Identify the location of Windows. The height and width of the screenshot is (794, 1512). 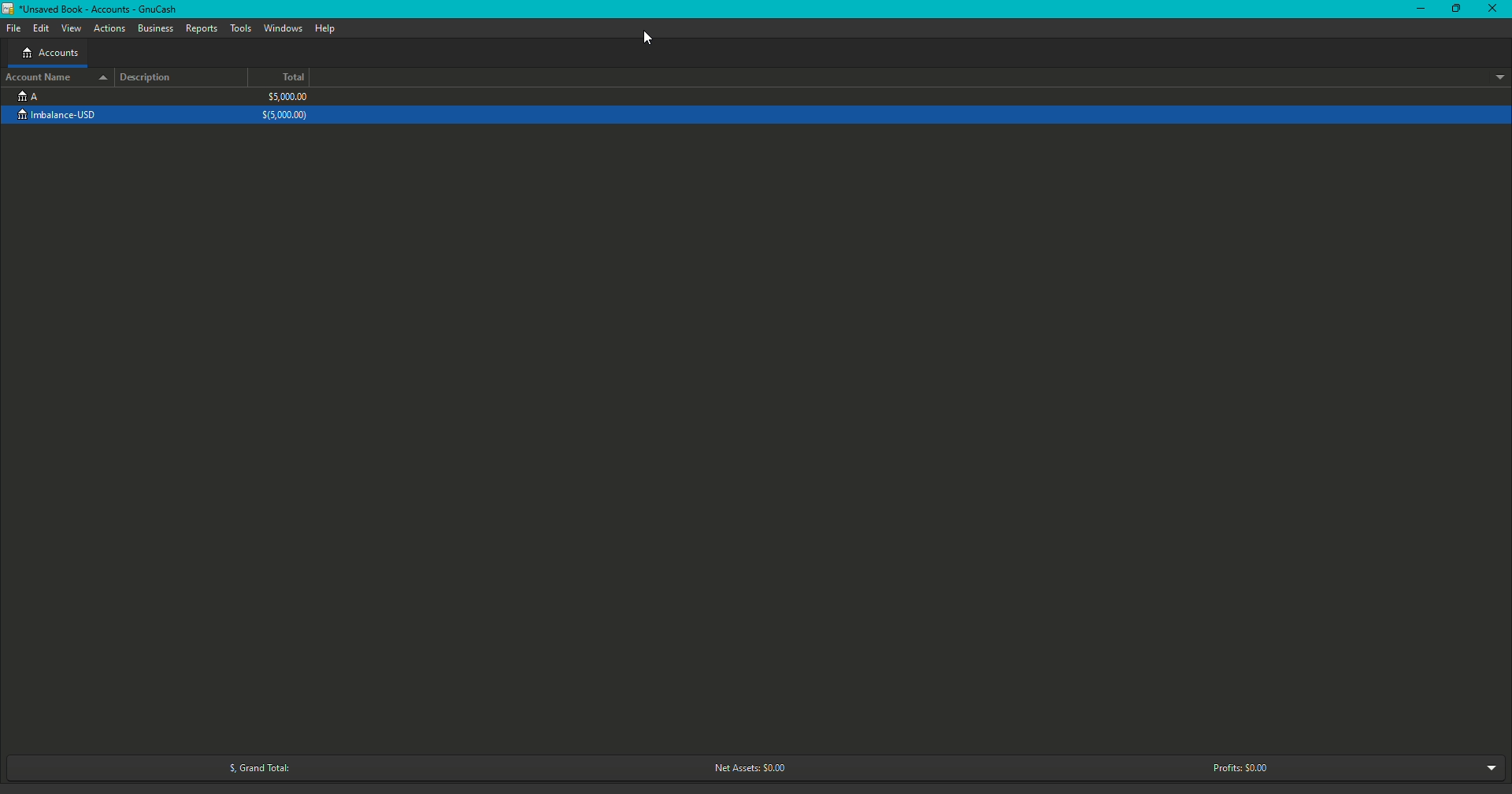
(283, 28).